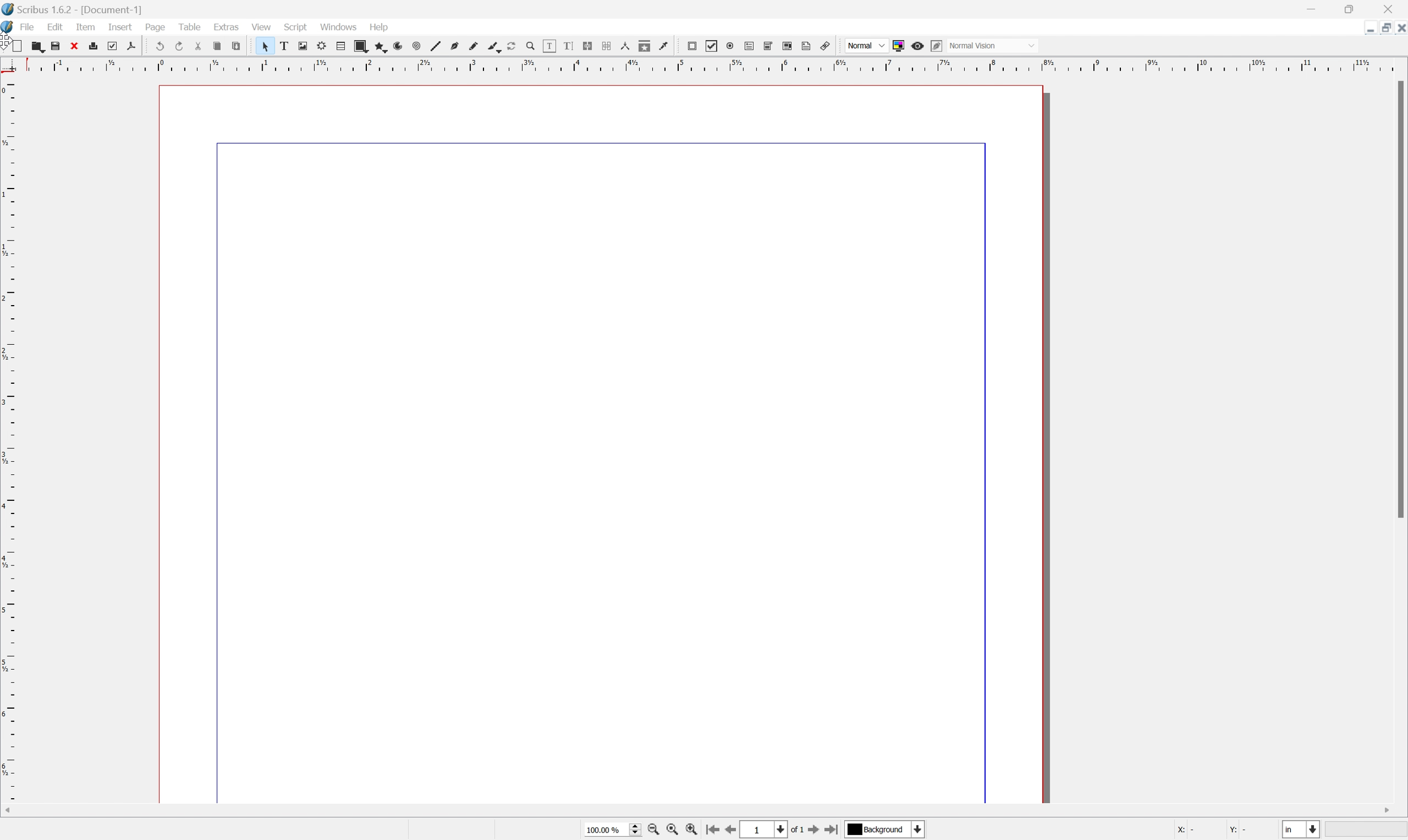  What do you see at coordinates (87, 28) in the screenshot?
I see `item` at bounding box center [87, 28].